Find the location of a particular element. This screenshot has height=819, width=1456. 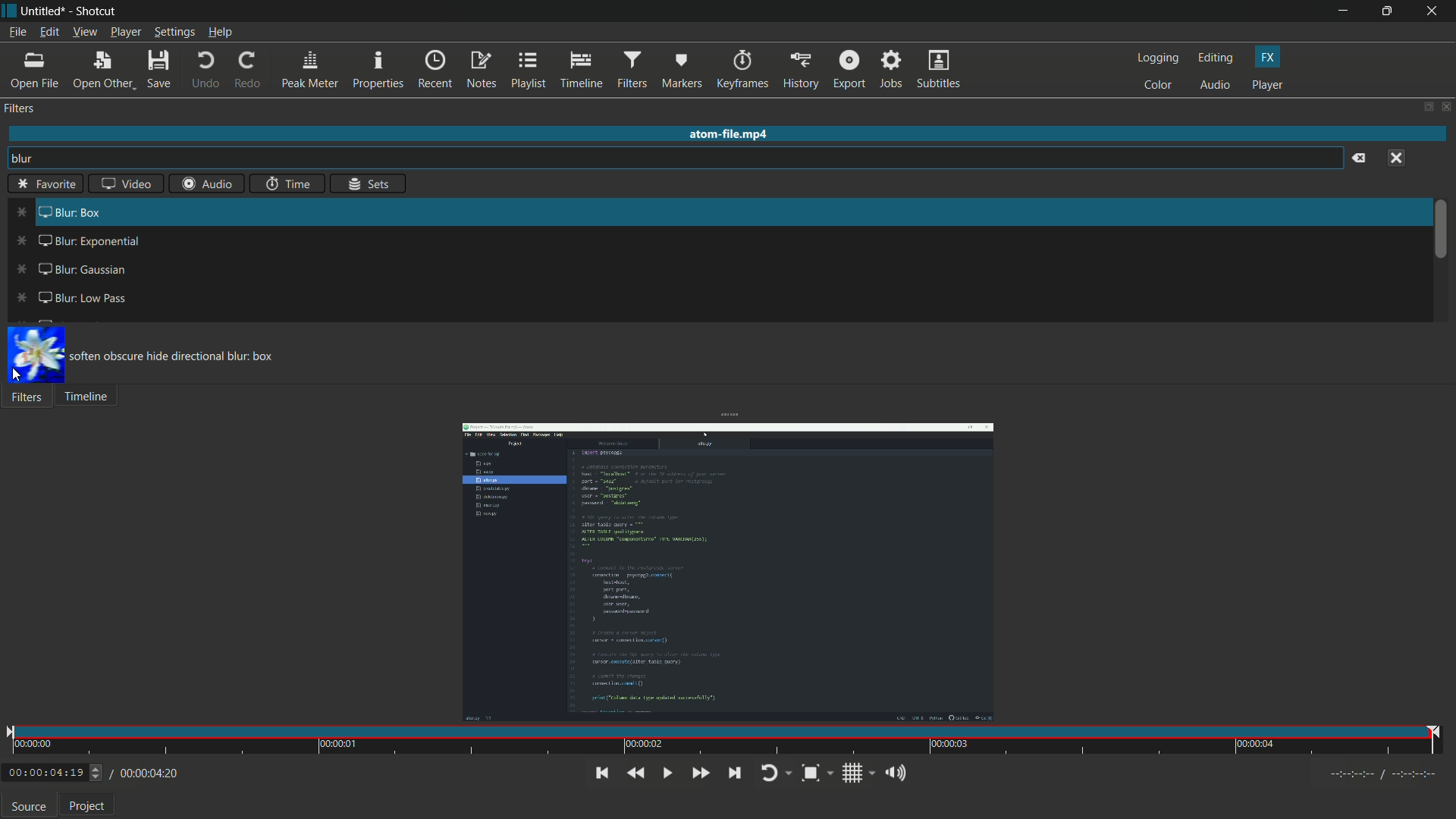

properties is located at coordinates (377, 71).